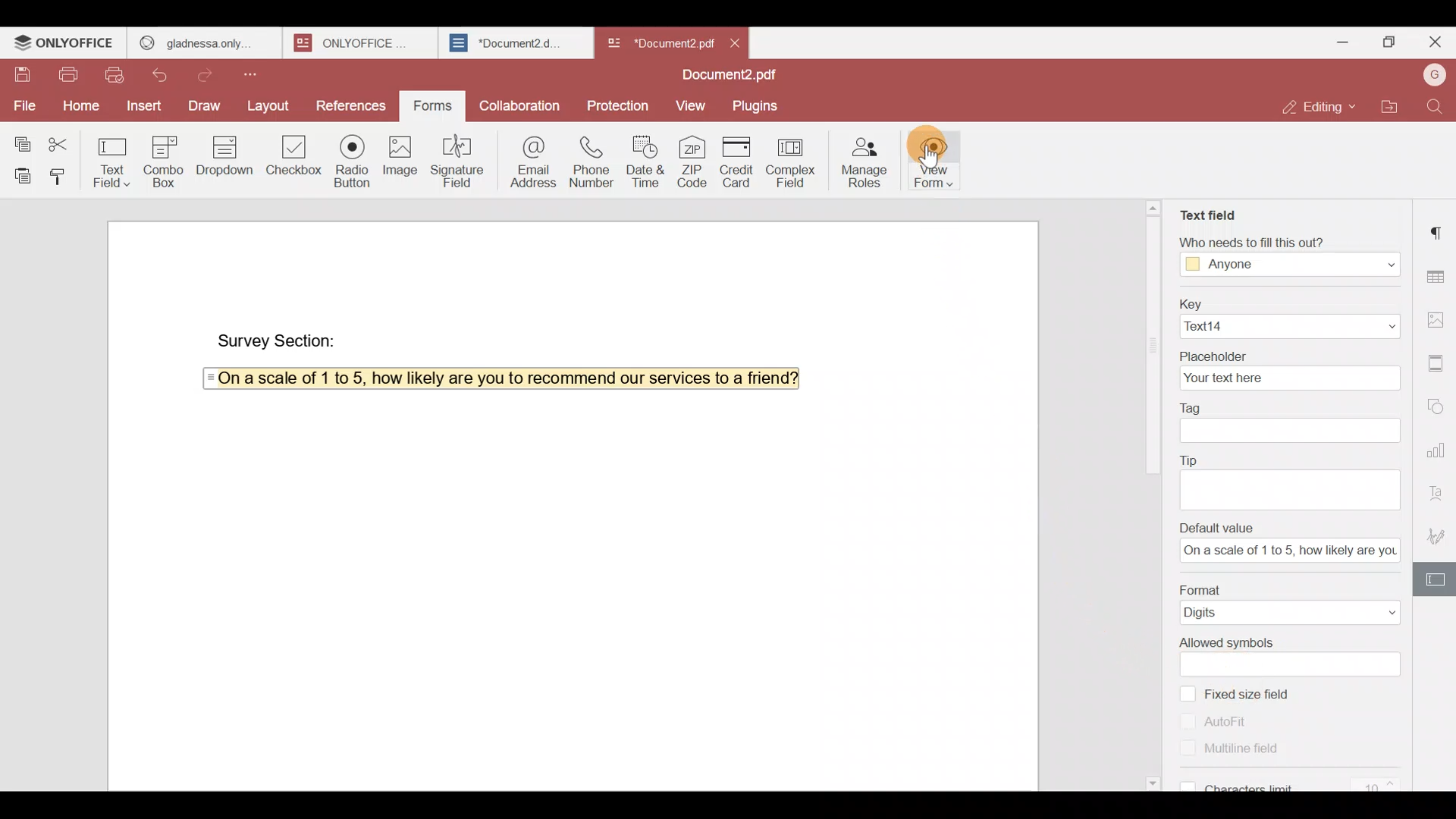 This screenshot has width=1456, height=819. Describe the element at coordinates (356, 42) in the screenshot. I see `ONLYOFFICE` at that location.